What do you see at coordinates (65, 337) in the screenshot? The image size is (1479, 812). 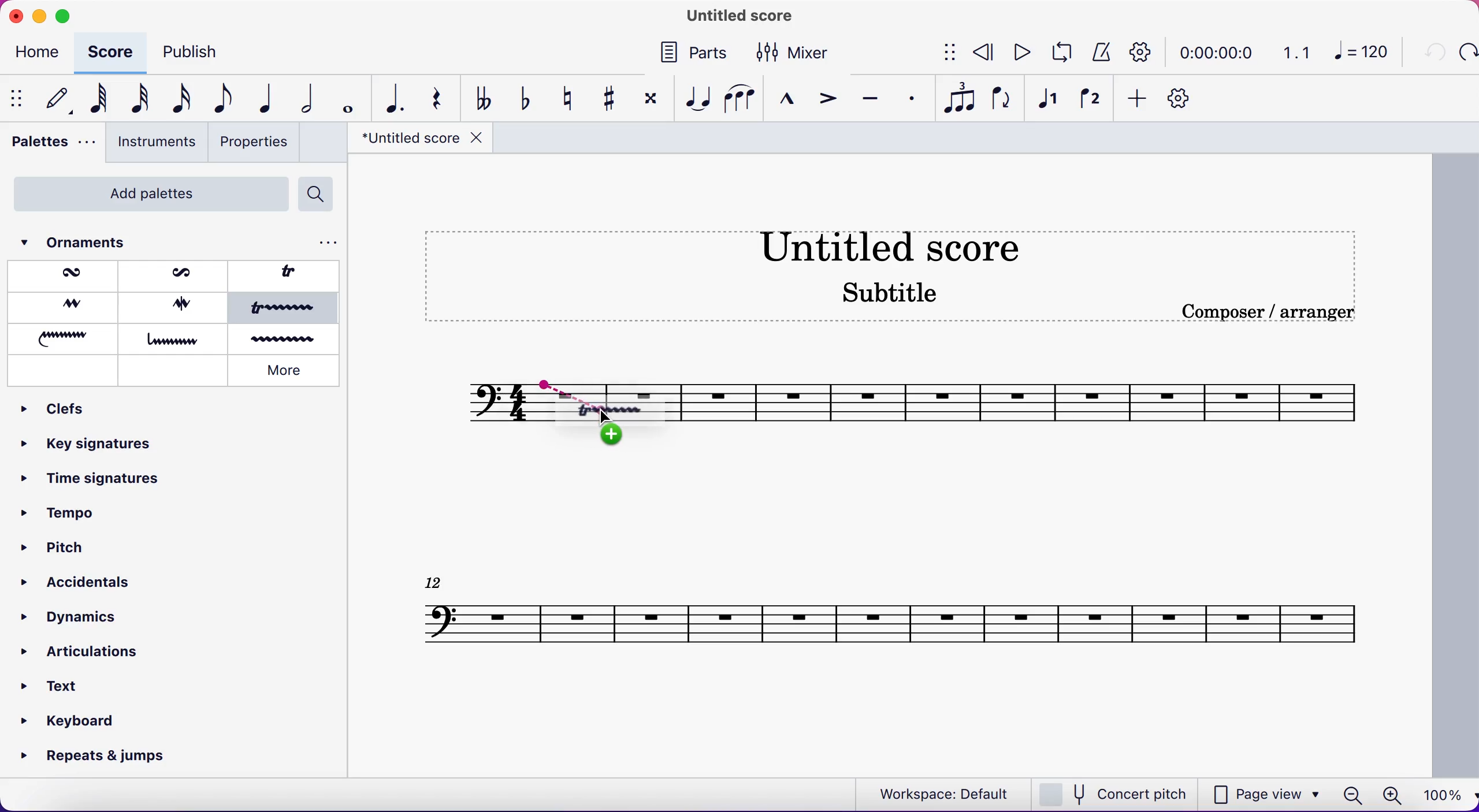 I see `glissando (ascending)` at bounding box center [65, 337].